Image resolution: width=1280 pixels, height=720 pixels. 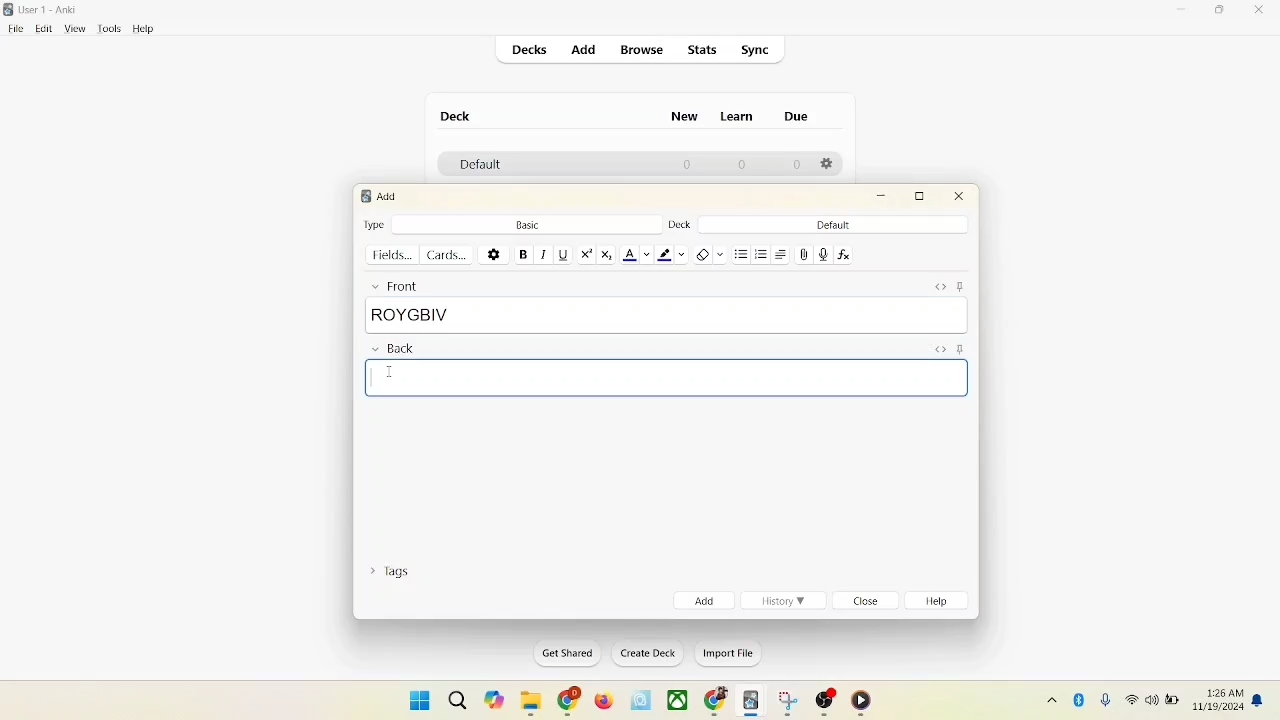 I want to click on basic, so click(x=527, y=223).